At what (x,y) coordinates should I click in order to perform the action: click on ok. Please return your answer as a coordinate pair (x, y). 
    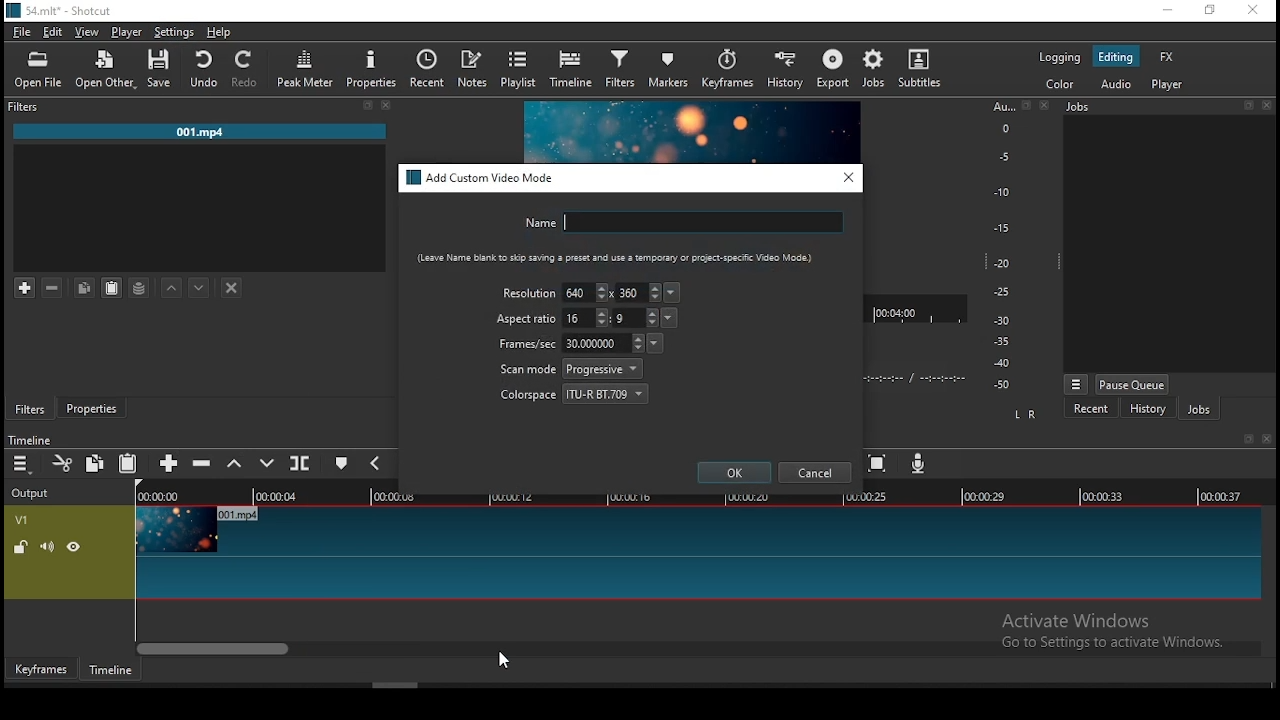
    Looking at the image, I should click on (735, 472).